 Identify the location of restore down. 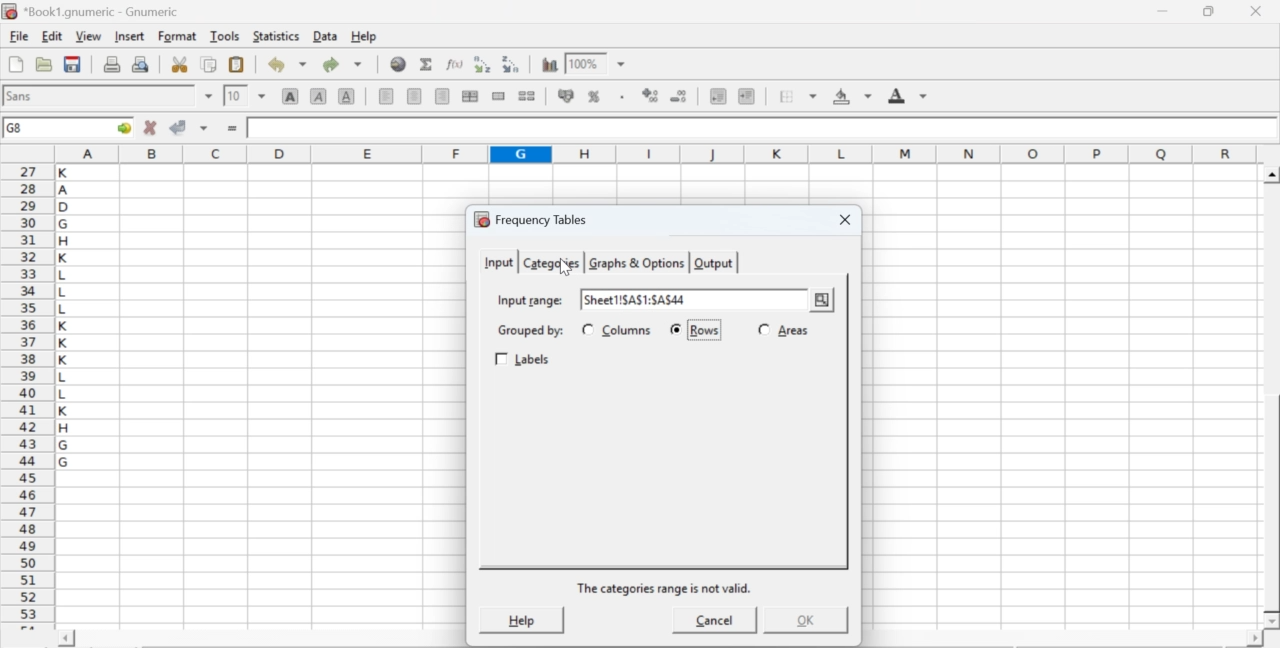
(1210, 12).